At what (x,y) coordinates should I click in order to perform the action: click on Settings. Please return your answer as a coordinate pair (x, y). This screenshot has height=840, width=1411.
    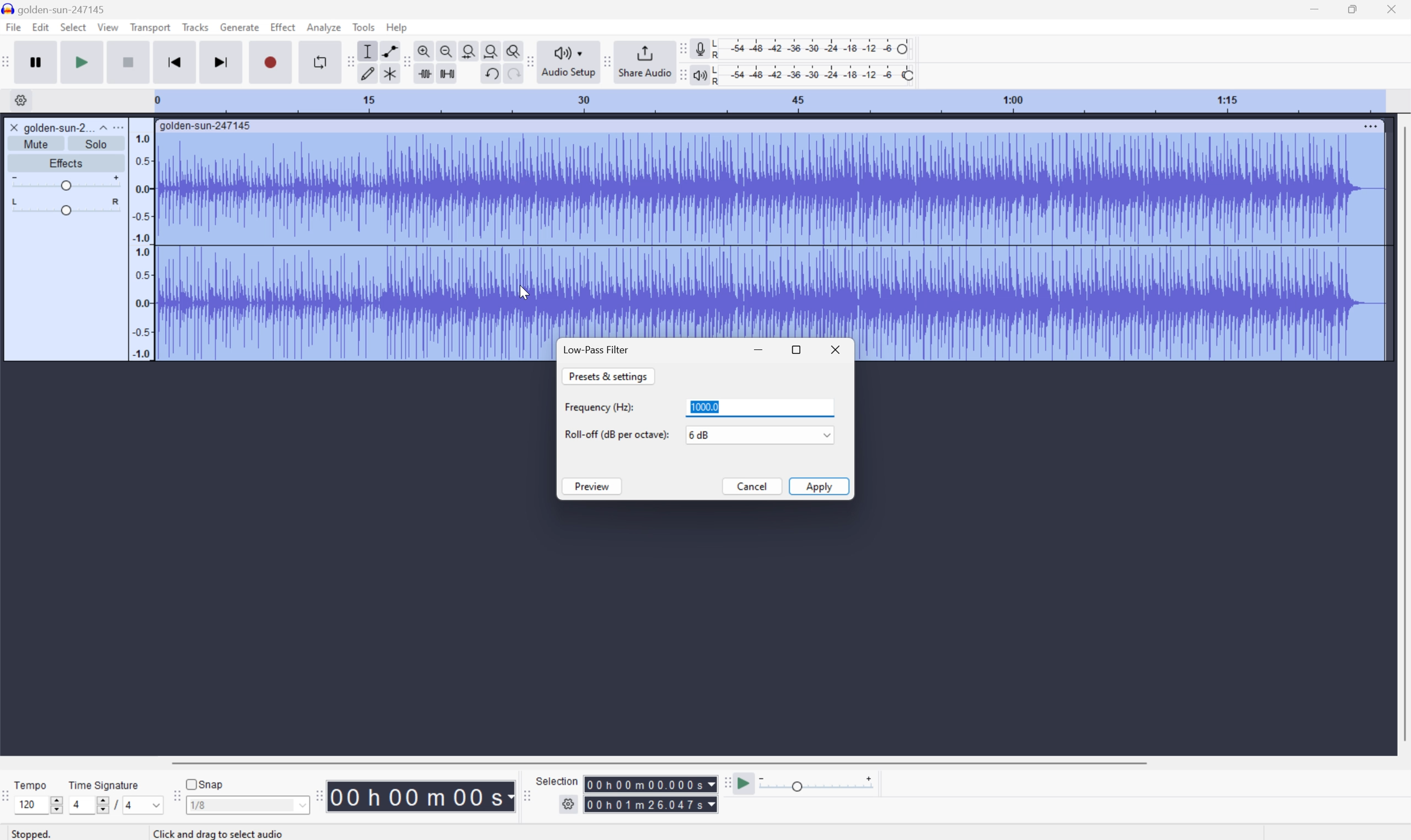
    Looking at the image, I should click on (19, 100).